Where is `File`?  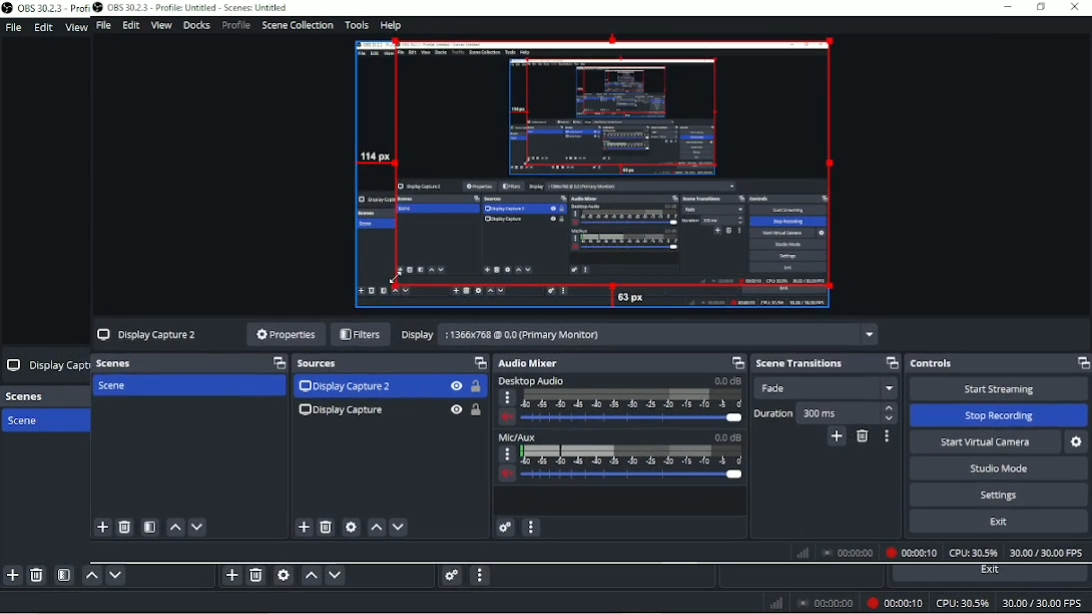 File is located at coordinates (16, 27).